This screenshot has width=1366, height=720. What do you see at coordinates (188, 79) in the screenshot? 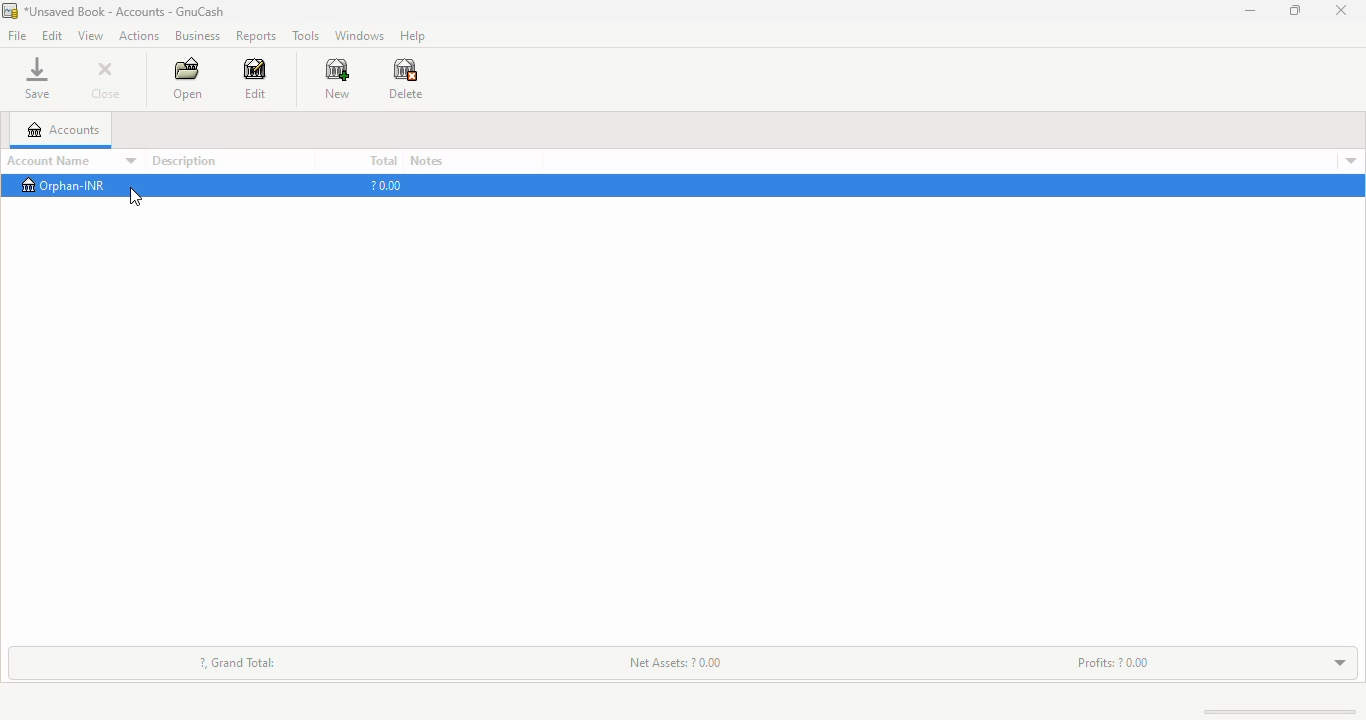
I see `open` at bounding box center [188, 79].